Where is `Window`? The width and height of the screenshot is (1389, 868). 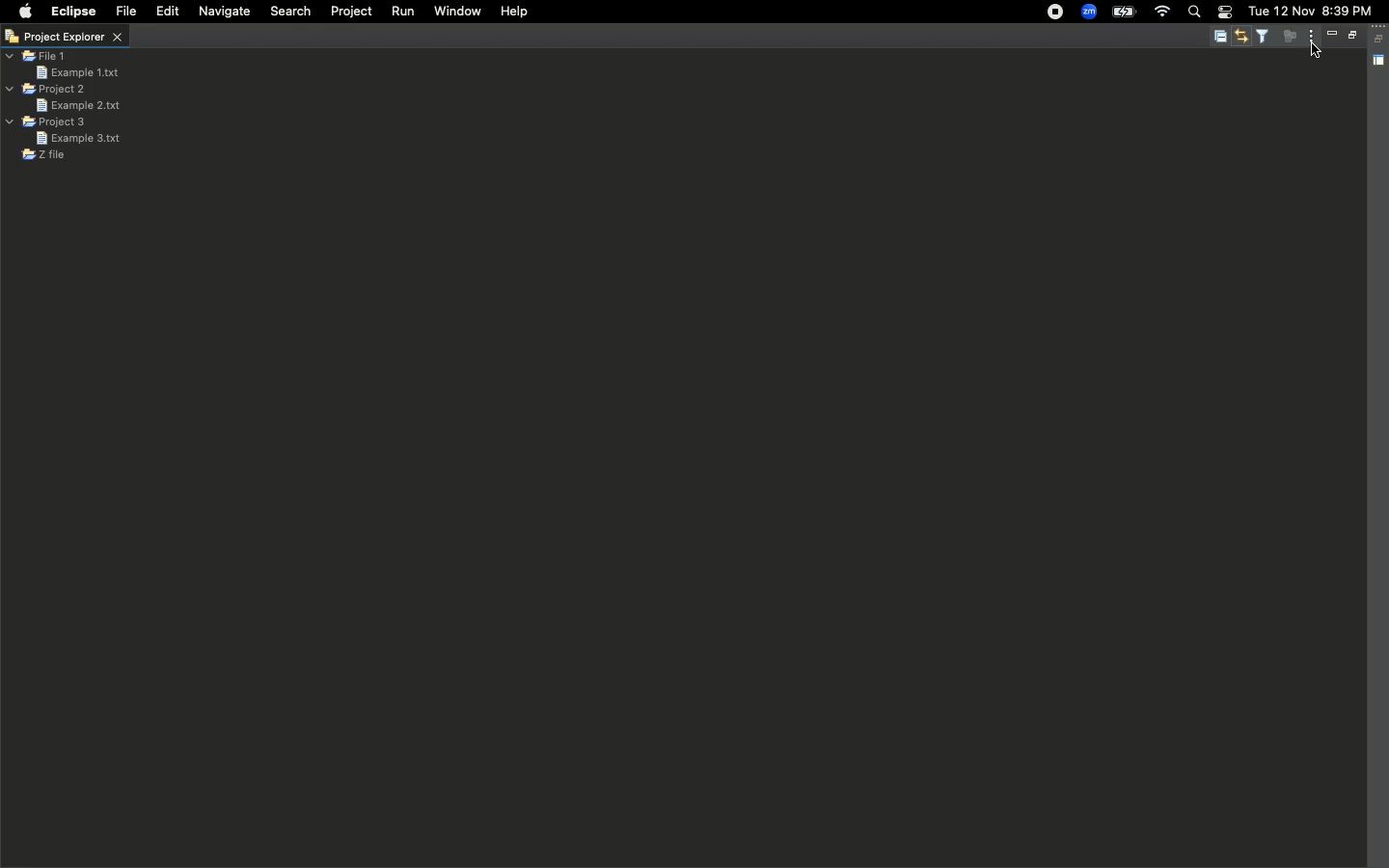 Window is located at coordinates (456, 14).